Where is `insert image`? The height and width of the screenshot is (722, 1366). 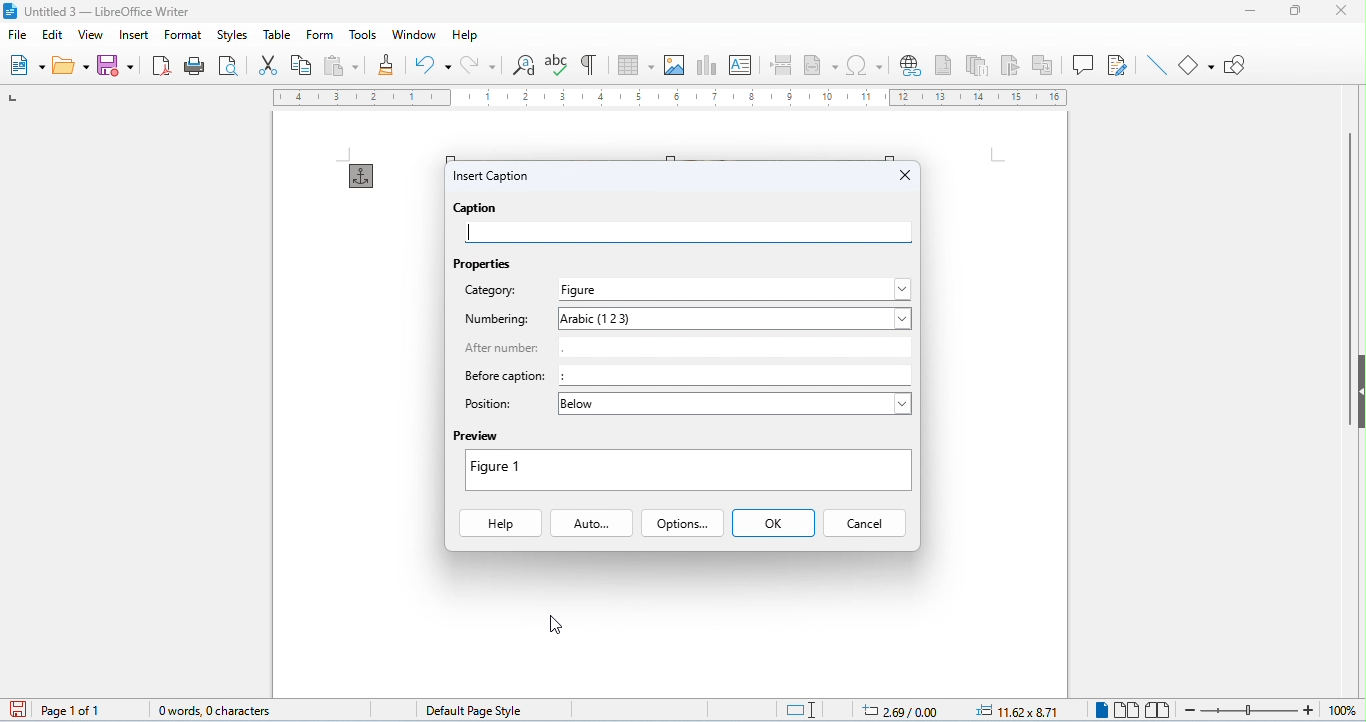 insert image is located at coordinates (675, 66).